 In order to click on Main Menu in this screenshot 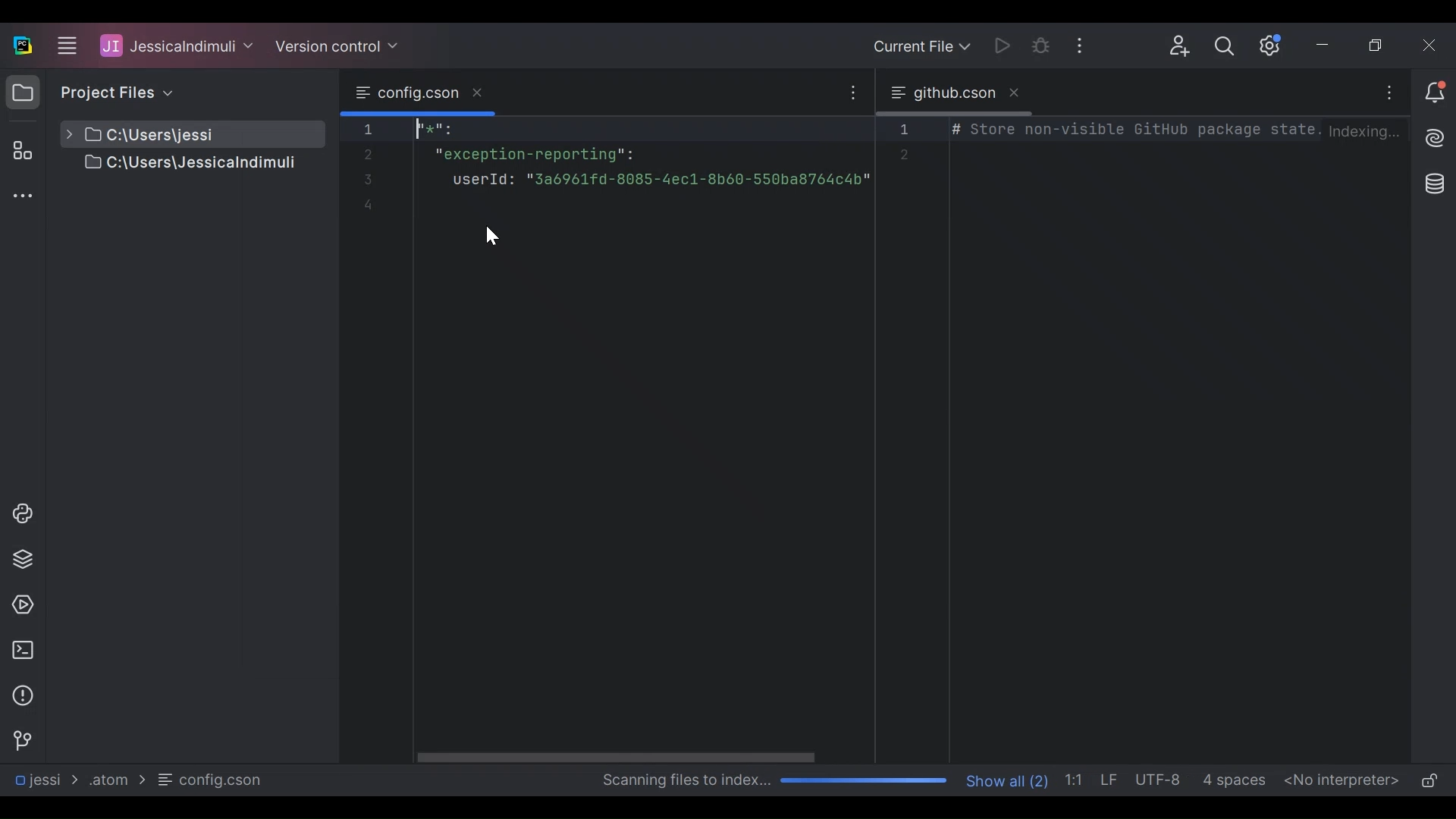, I will do `click(65, 43)`.